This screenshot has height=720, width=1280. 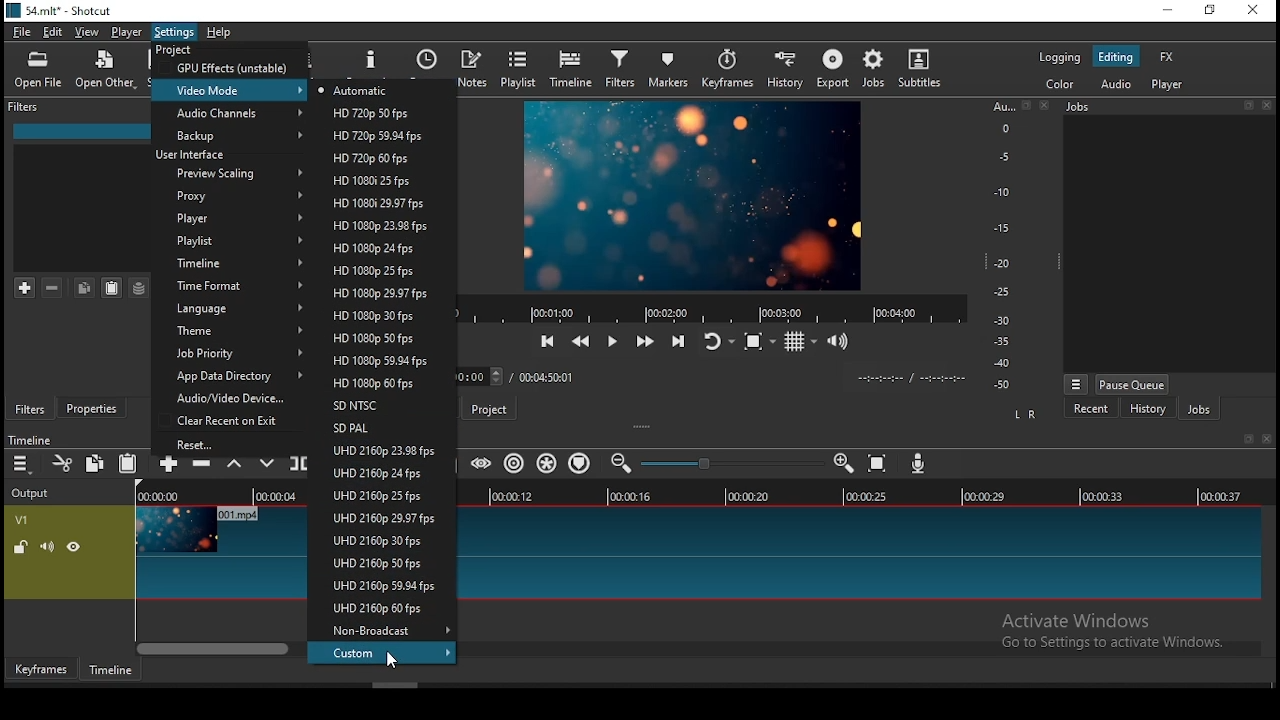 I want to click on project, so click(x=172, y=50).